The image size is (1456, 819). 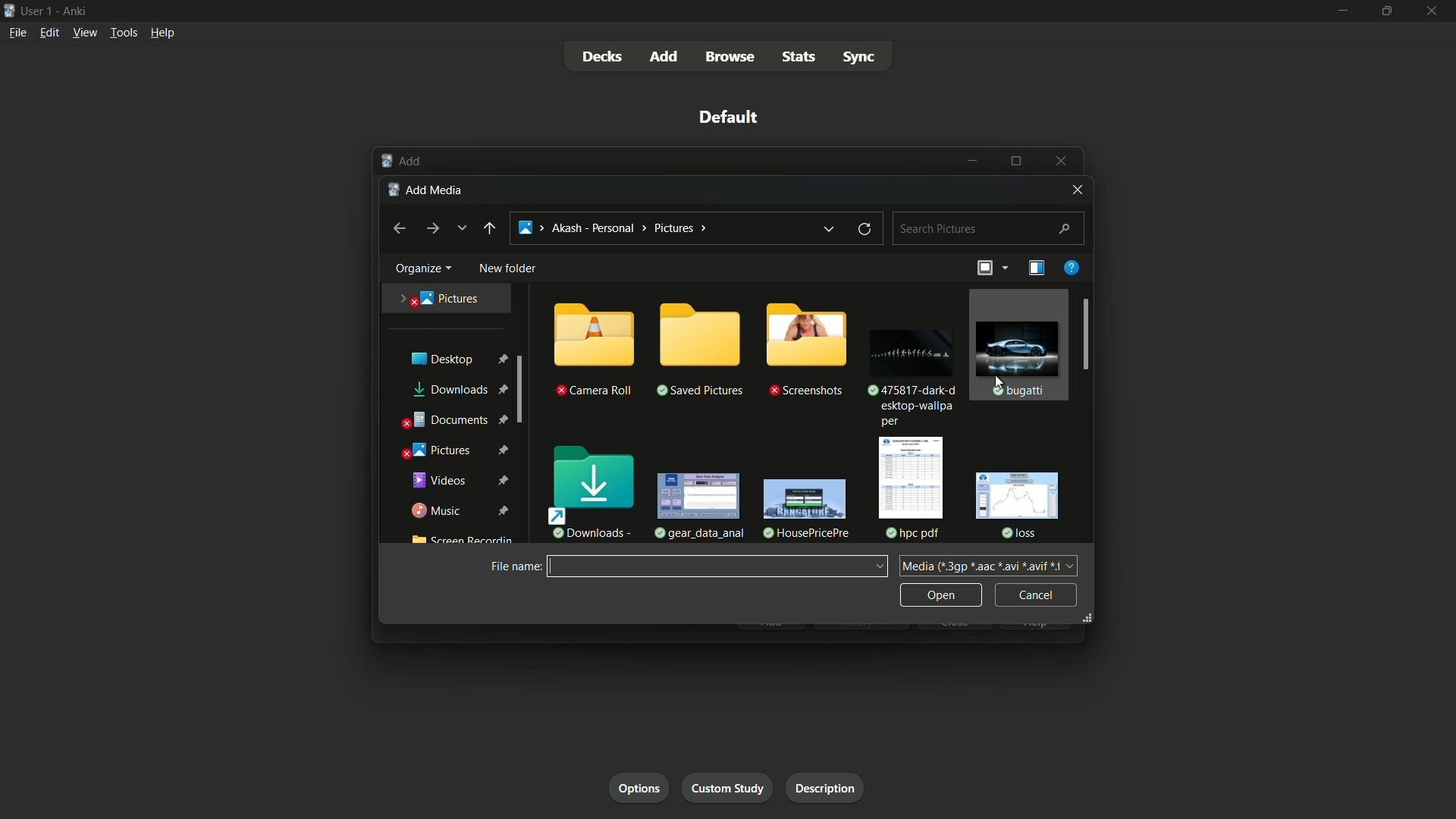 What do you see at coordinates (822, 786) in the screenshot?
I see `description` at bounding box center [822, 786].